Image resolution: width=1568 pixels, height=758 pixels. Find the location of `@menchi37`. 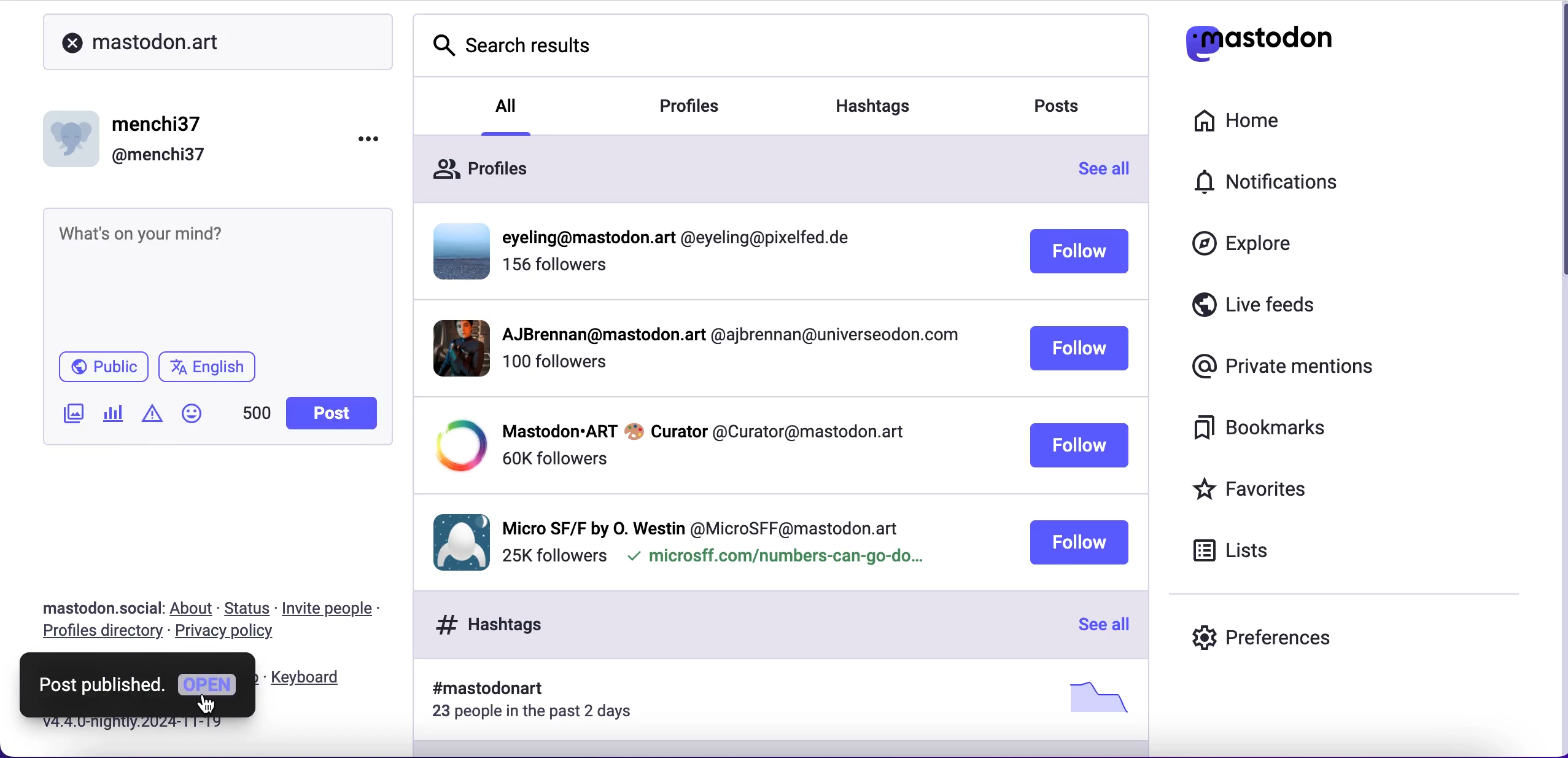

@menchi37 is located at coordinates (159, 156).